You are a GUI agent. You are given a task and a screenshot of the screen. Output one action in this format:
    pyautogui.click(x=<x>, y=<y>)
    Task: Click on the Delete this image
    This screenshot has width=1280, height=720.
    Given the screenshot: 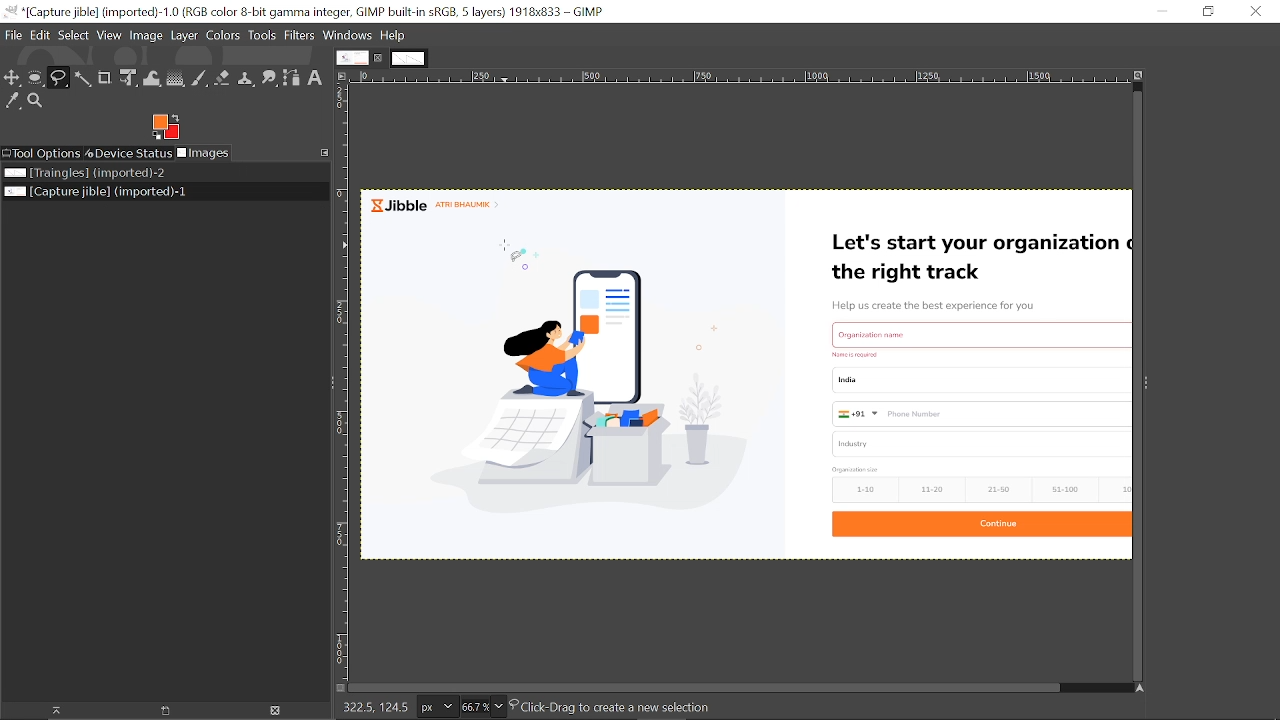 What is the action you would take?
    pyautogui.click(x=276, y=712)
    